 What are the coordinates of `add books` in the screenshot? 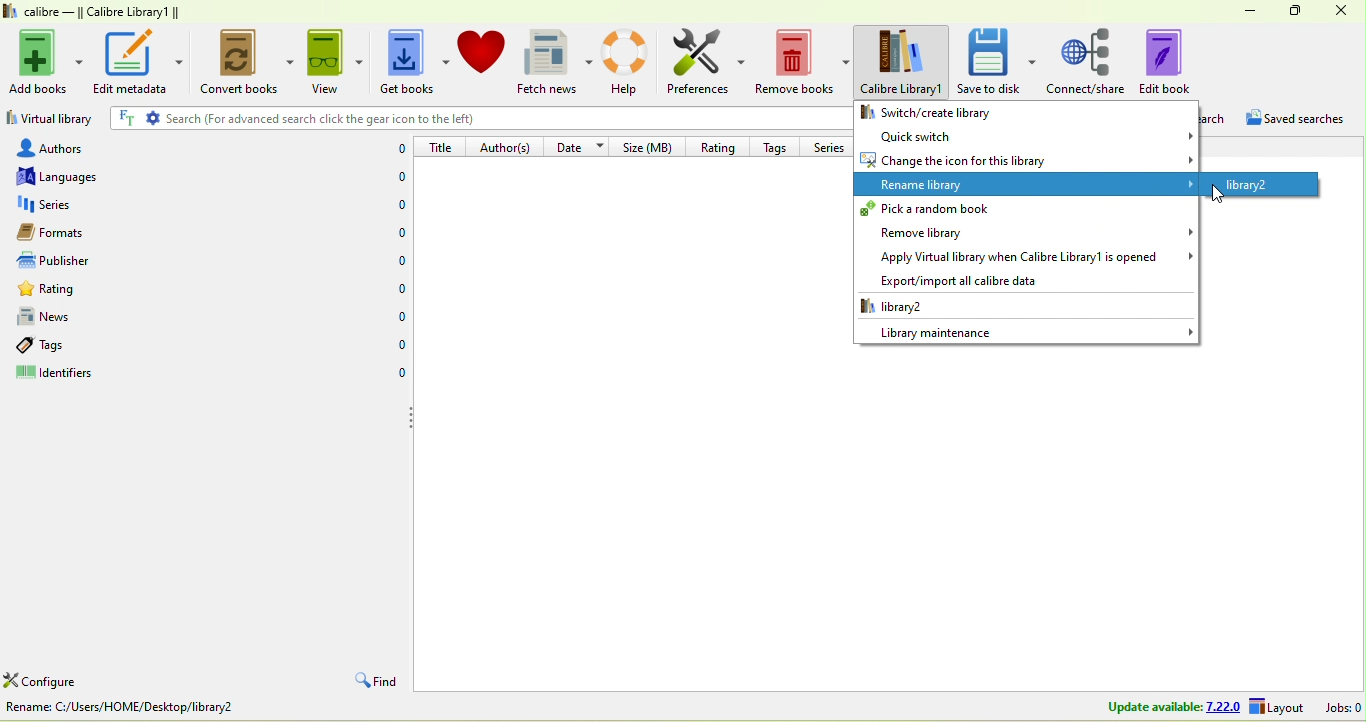 It's located at (47, 59).